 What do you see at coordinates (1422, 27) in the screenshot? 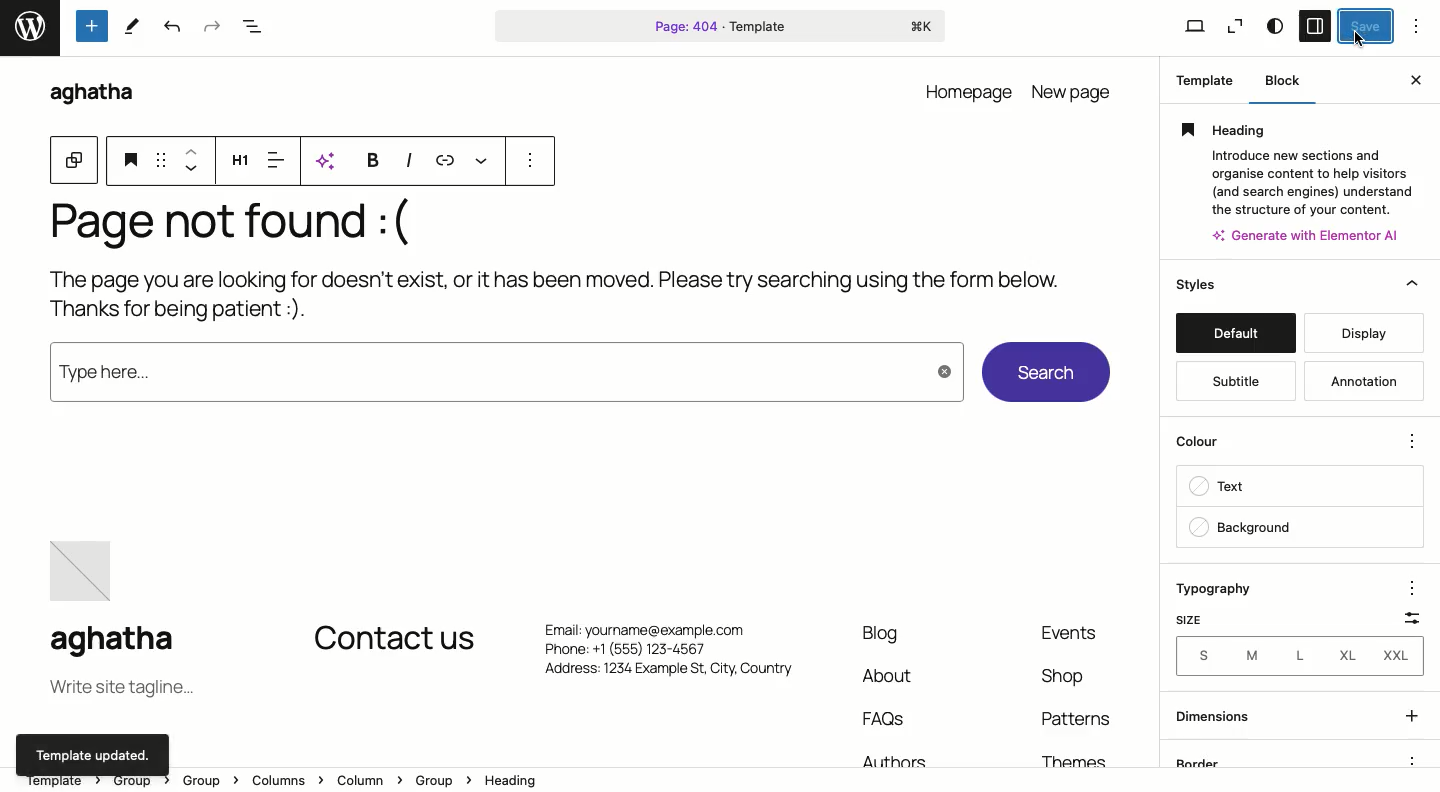
I see `Options` at bounding box center [1422, 27].